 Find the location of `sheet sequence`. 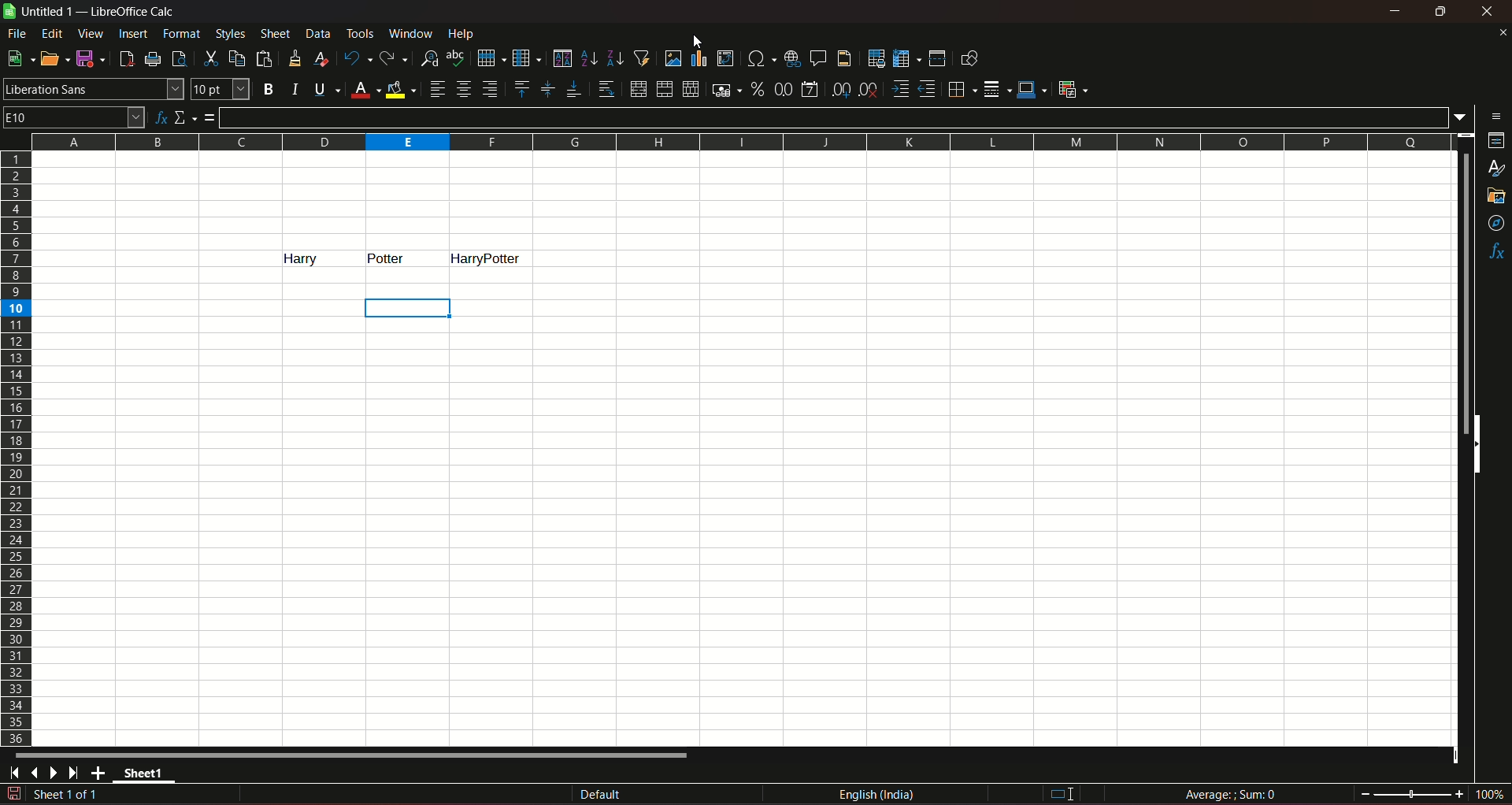

sheet sequence is located at coordinates (67, 796).